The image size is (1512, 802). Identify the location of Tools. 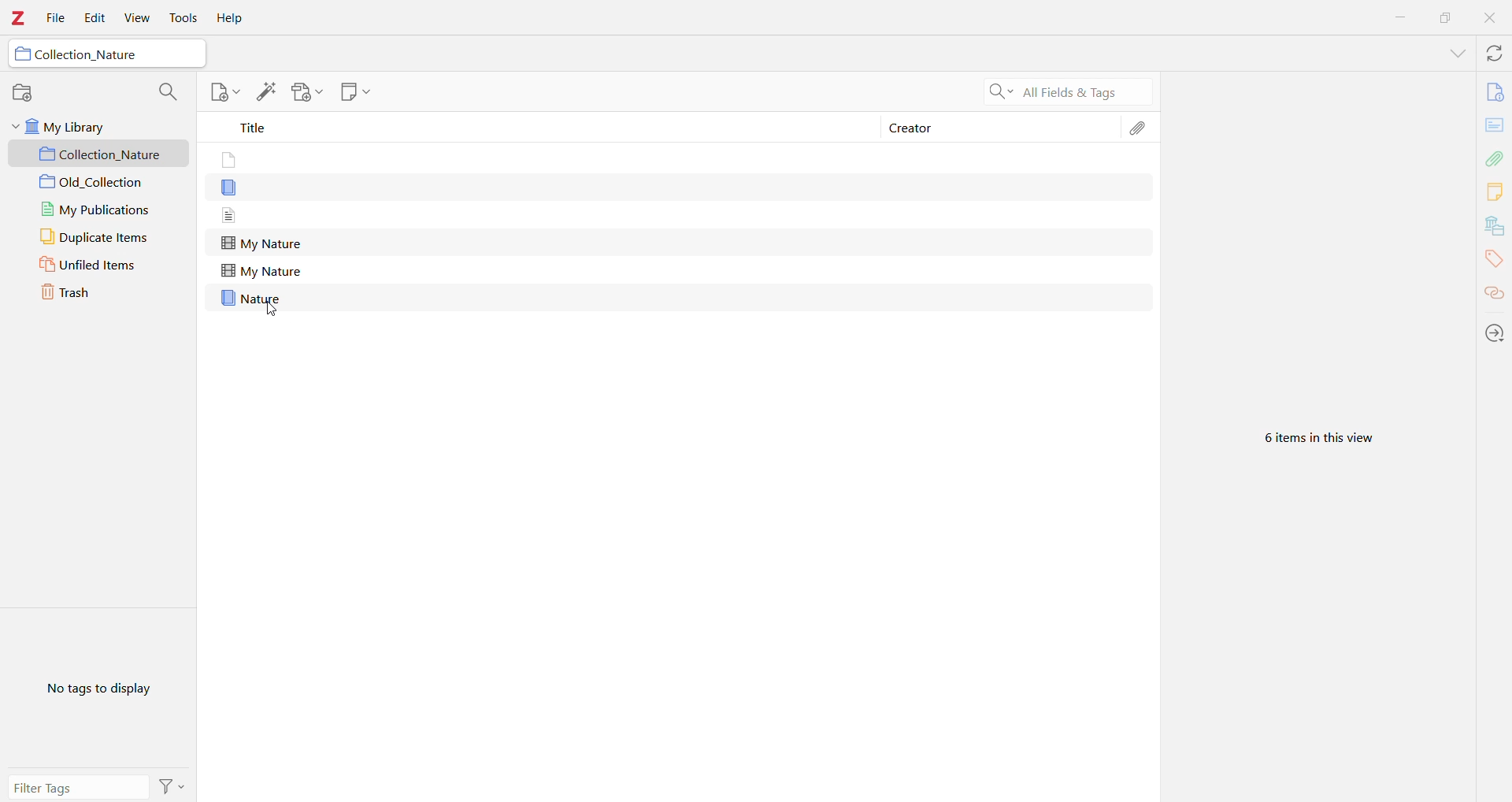
(182, 18).